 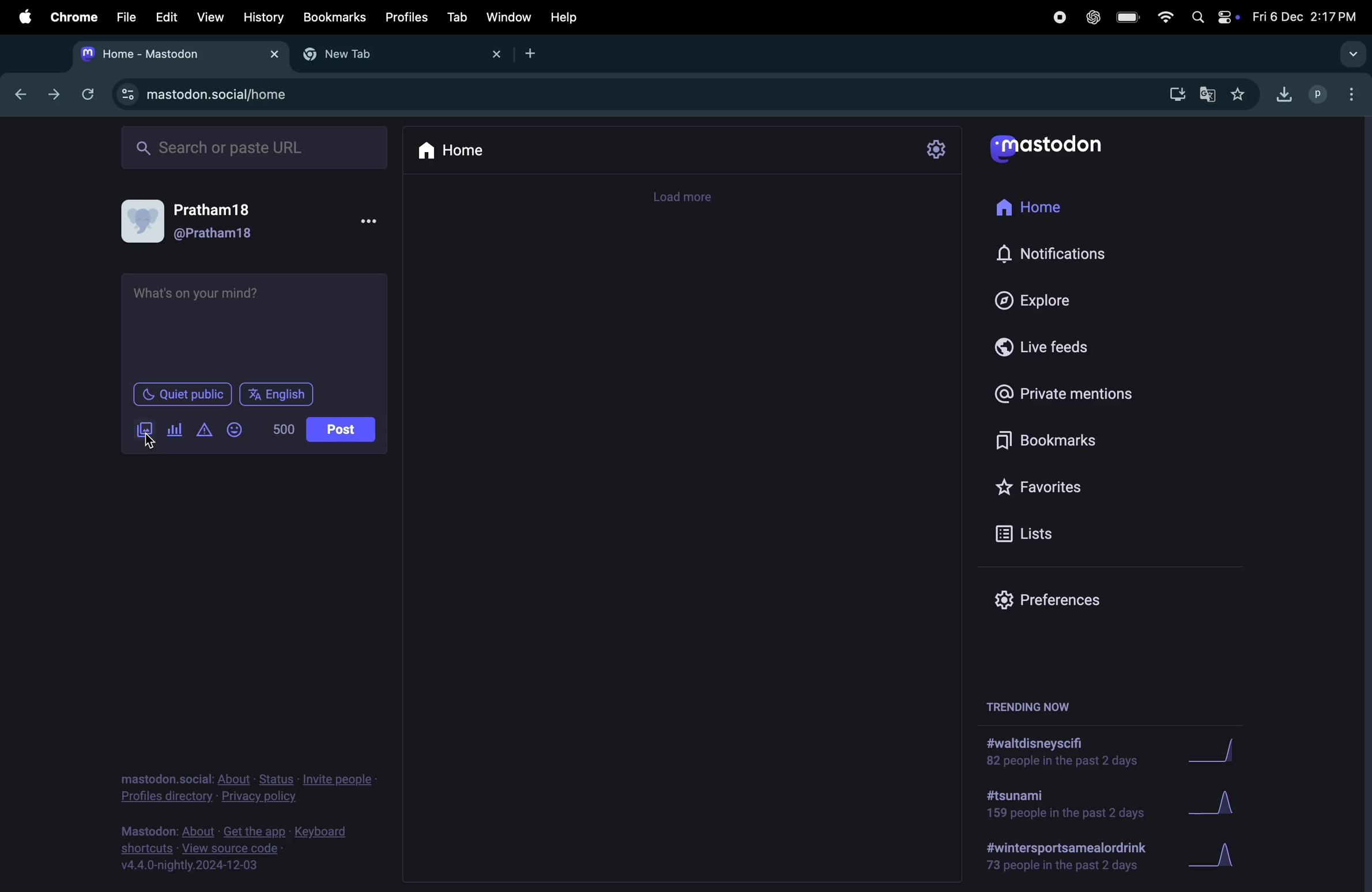 I want to click on 500 words, so click(x=285, y=429).